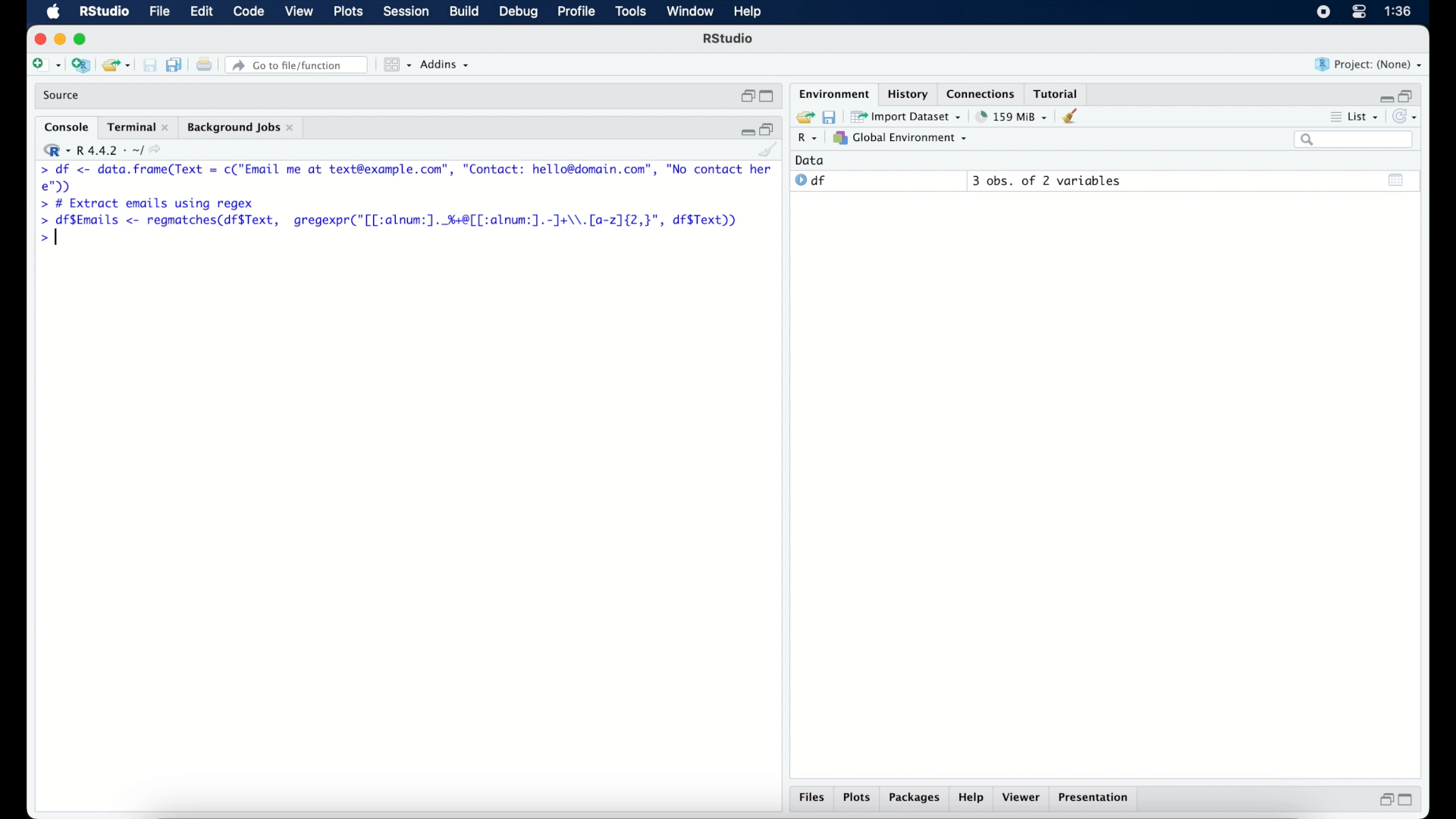 This screenshot has height=819, width=1456. What do you see at coordinates (1047, 180) in the screenshot?
I see `3 obs, of 2 variables` at bounding box center [1047, 180].